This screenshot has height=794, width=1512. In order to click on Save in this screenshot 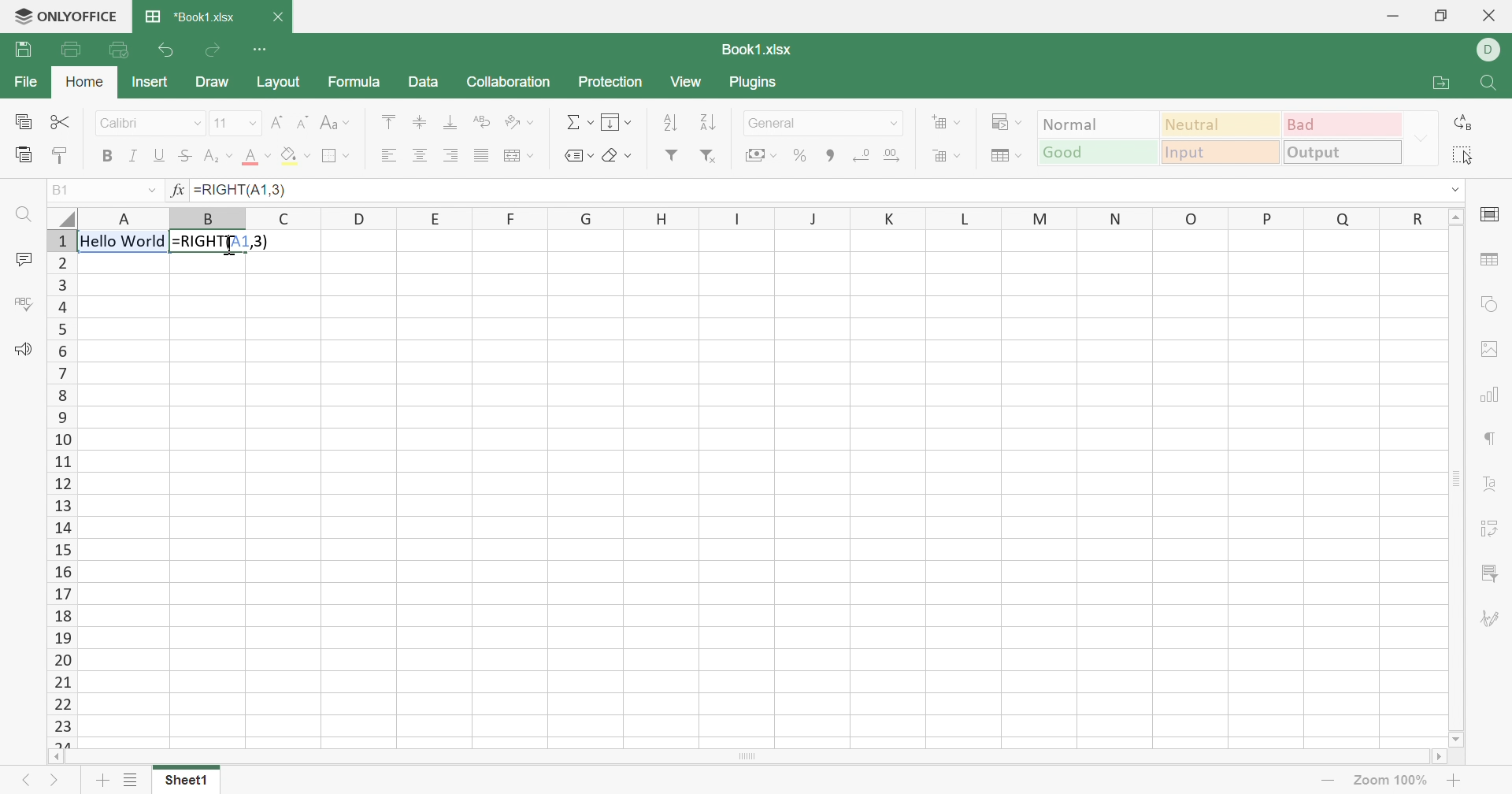, I will do `click(24, 50)`.